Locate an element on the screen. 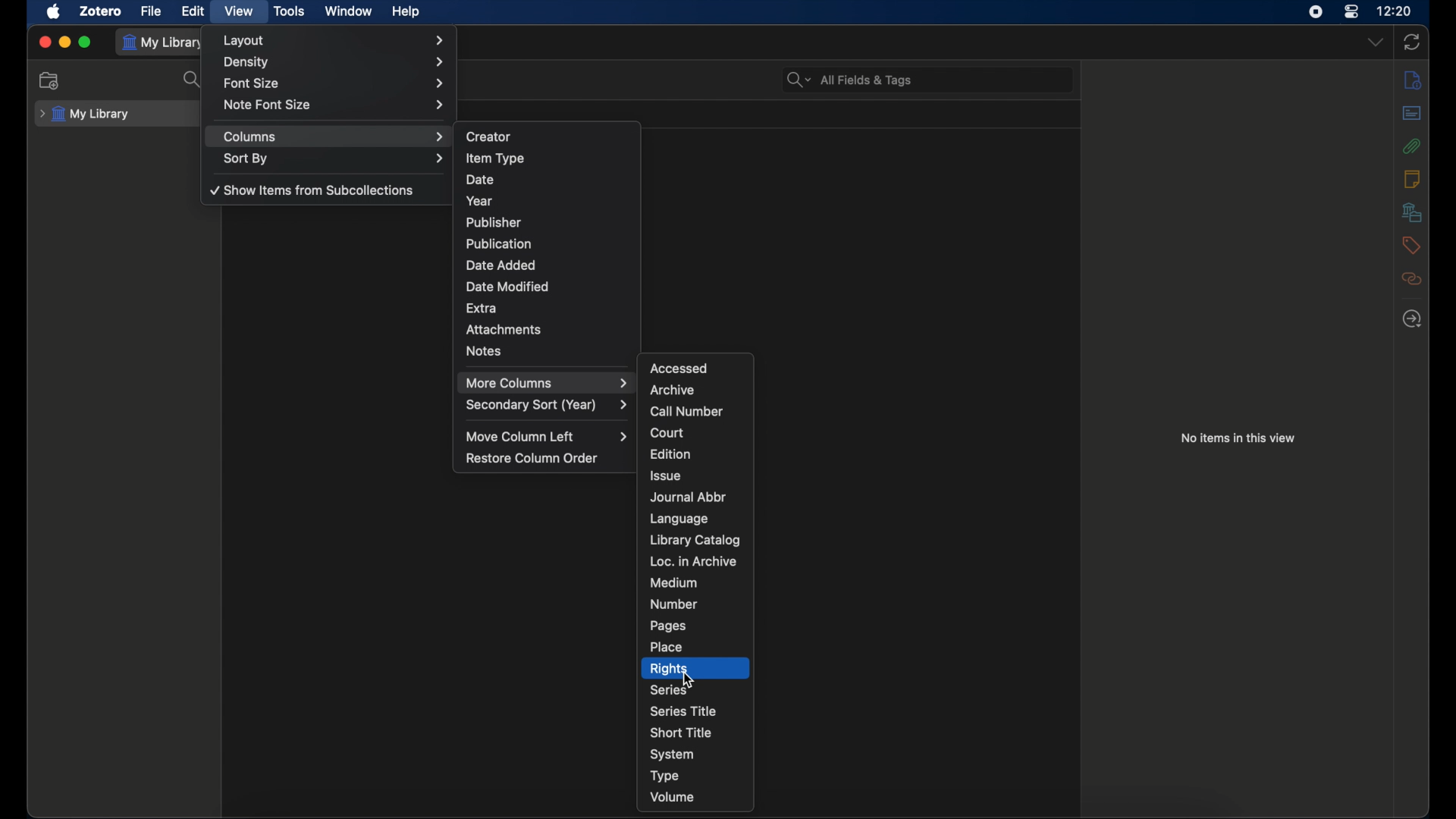  notes is located at coordinates (1412, 178).